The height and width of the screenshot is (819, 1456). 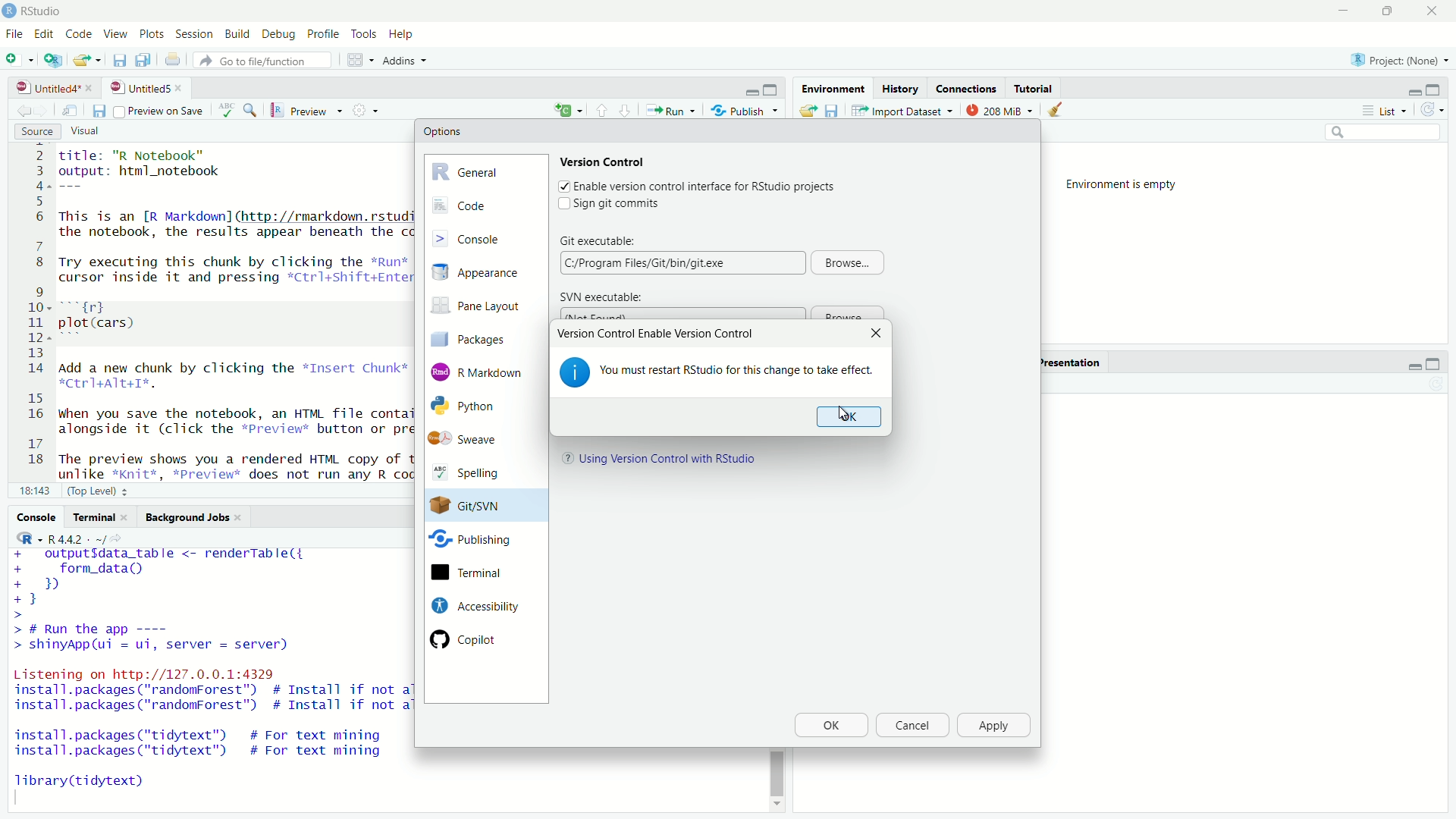 I want to click on minimize, so click(x=1413, y=91).